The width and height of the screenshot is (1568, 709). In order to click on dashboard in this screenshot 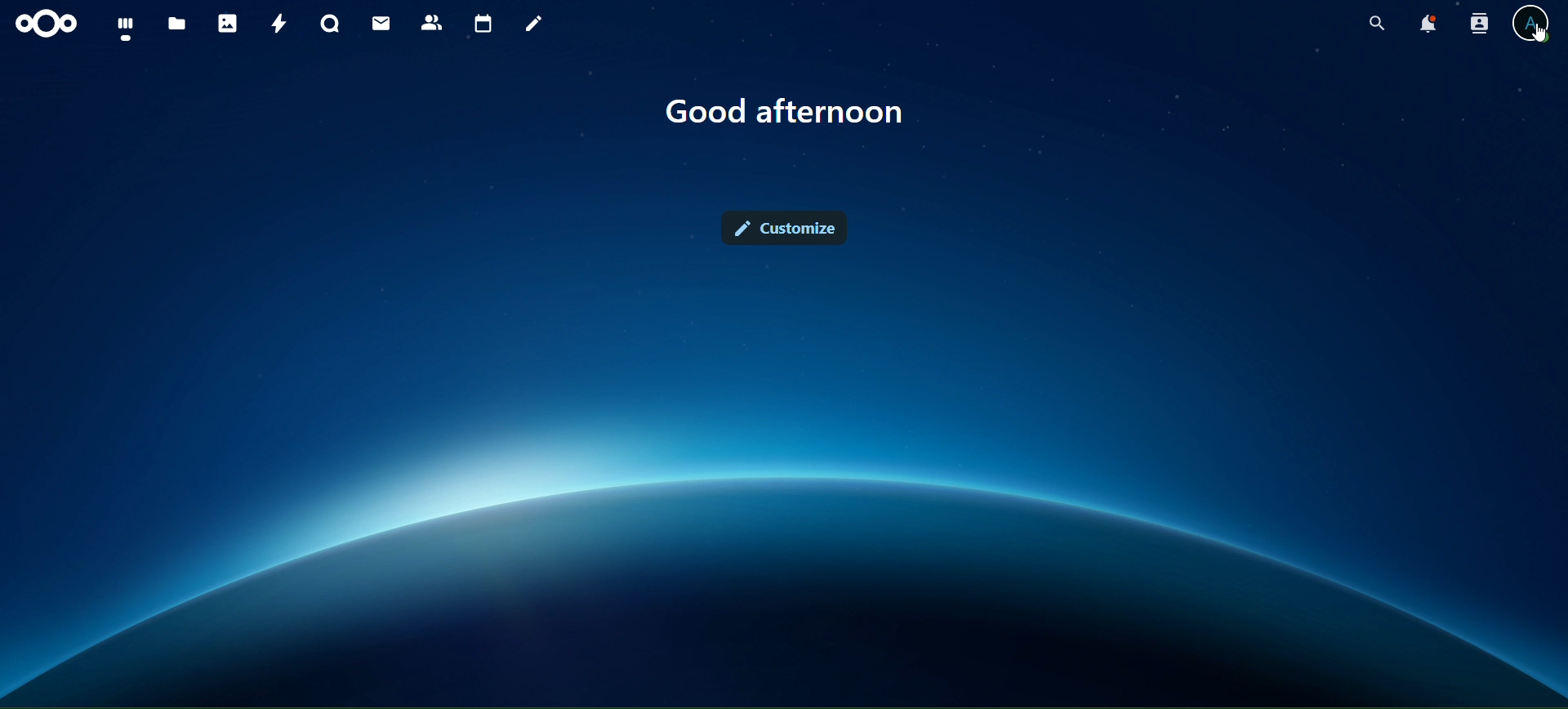, I will do `click(129, 29)`.